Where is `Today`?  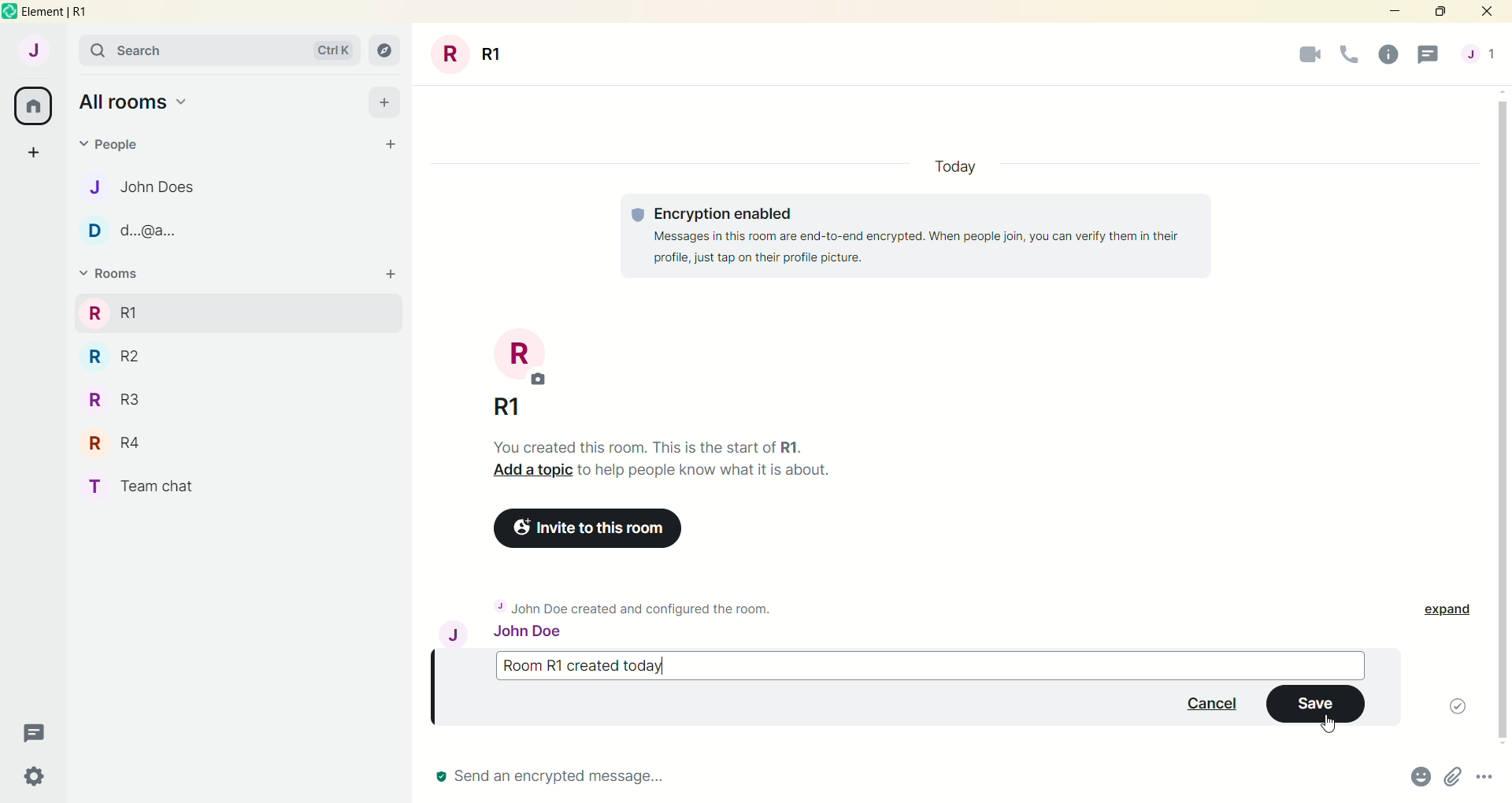
Today is located at coordinates (953, 164).